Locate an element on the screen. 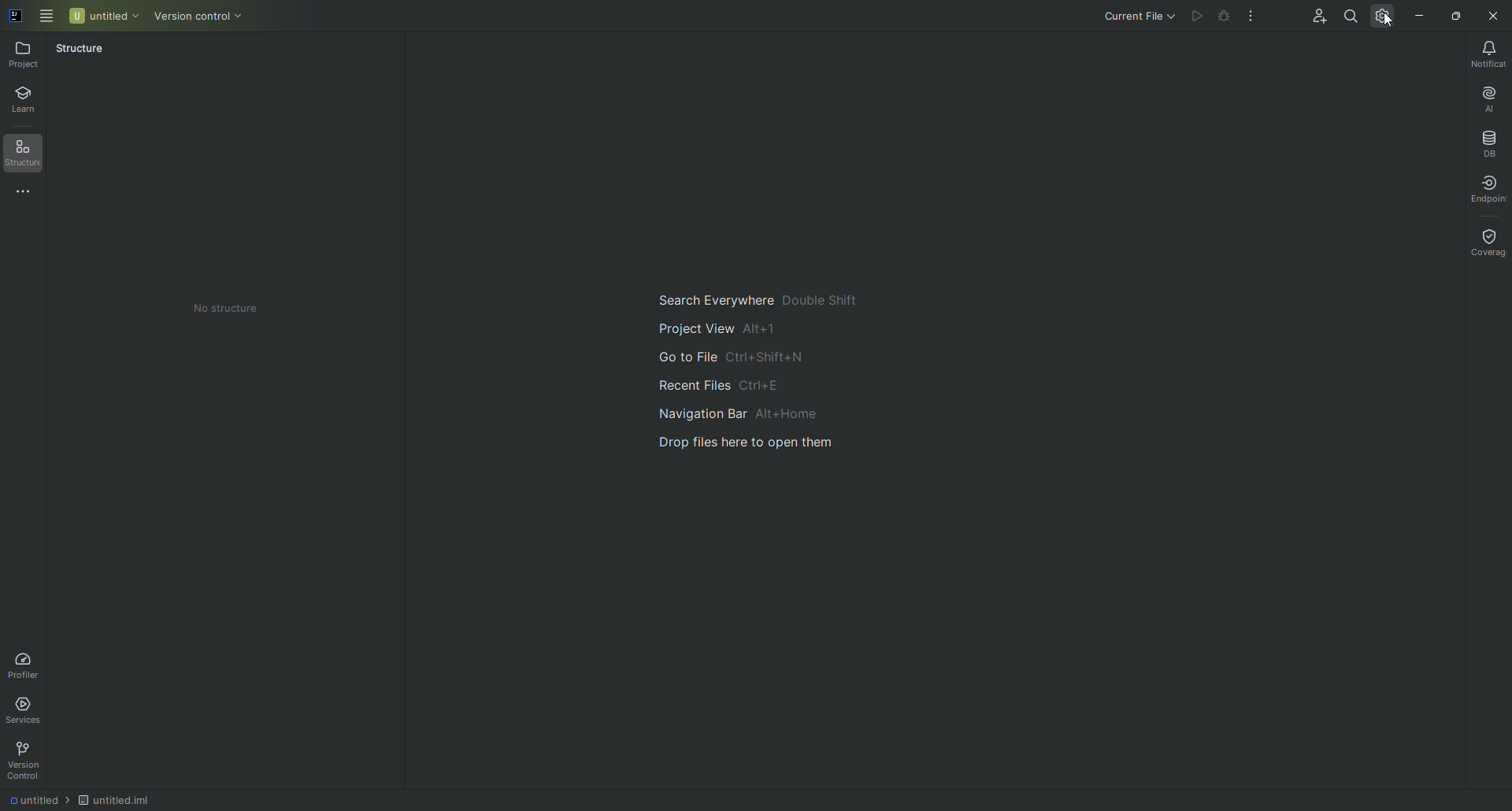 This screenshot has width=1512, height=811. AI Assistant is located at coordinates (1489, 98).